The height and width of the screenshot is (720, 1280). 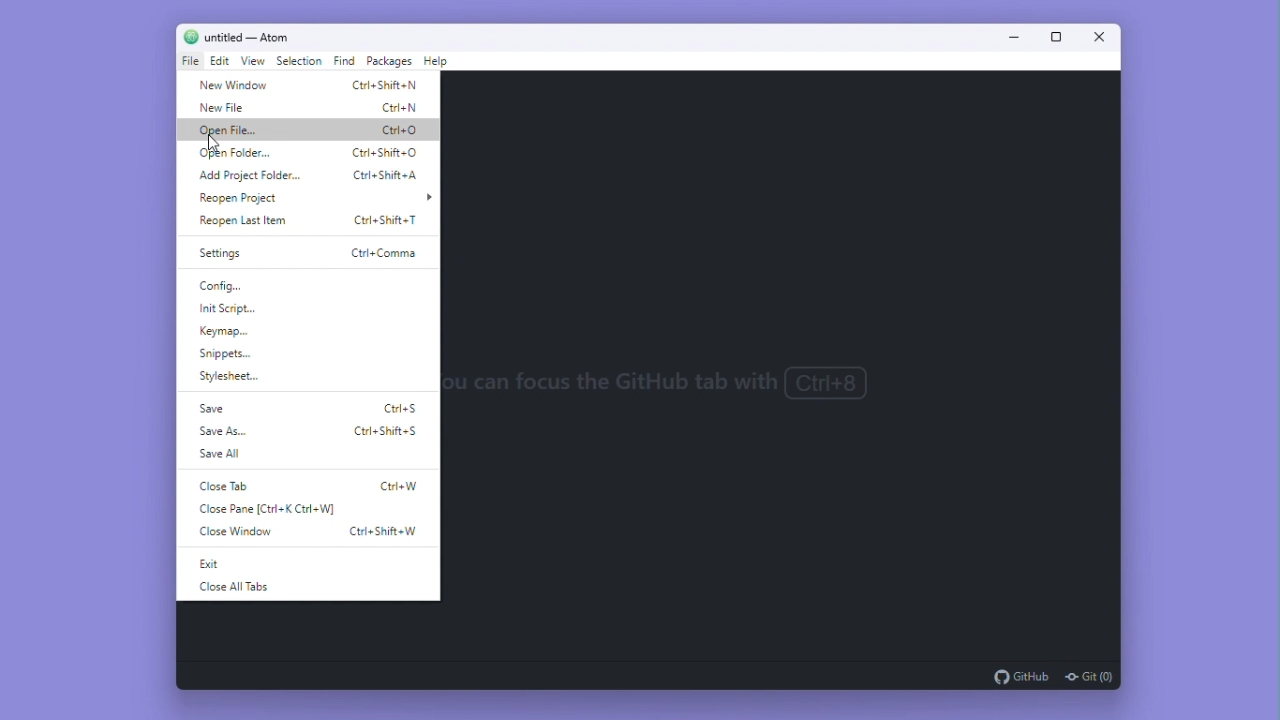 What do you see at coordinates (1094, 38) in the screenshot?
I see `Close` at bounding box center [1094, 38].